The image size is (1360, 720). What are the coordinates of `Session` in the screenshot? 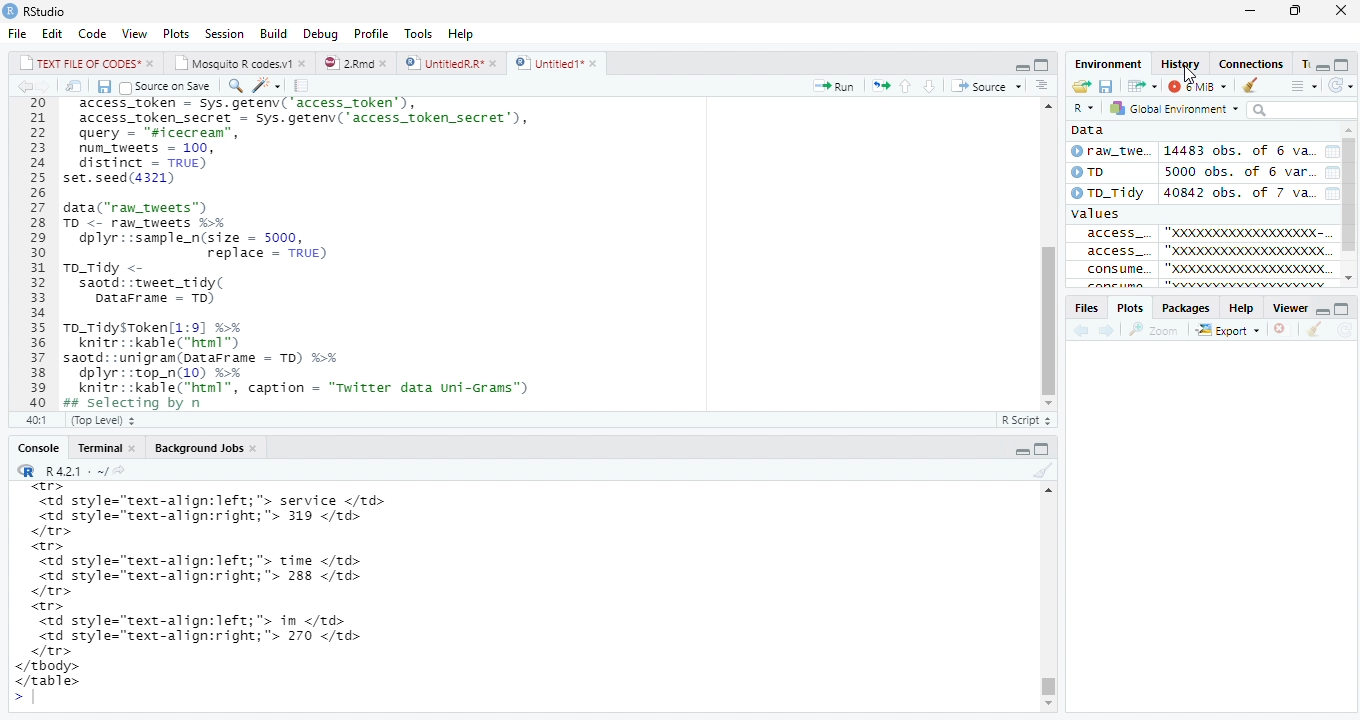 It's located at (223, 33).